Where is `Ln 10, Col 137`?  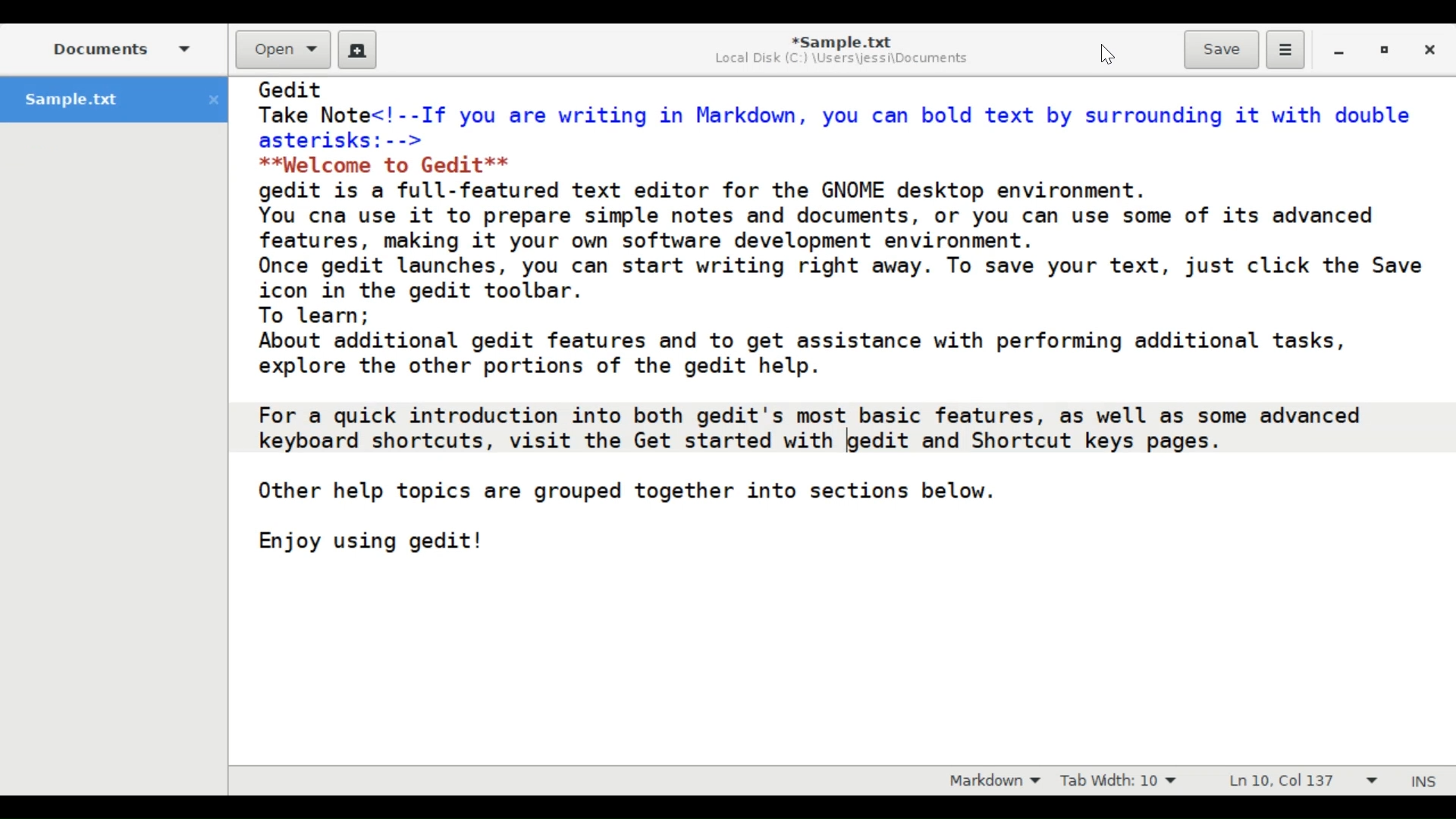 Ln 10, Col 137 is located at coordinates (1307, 777).